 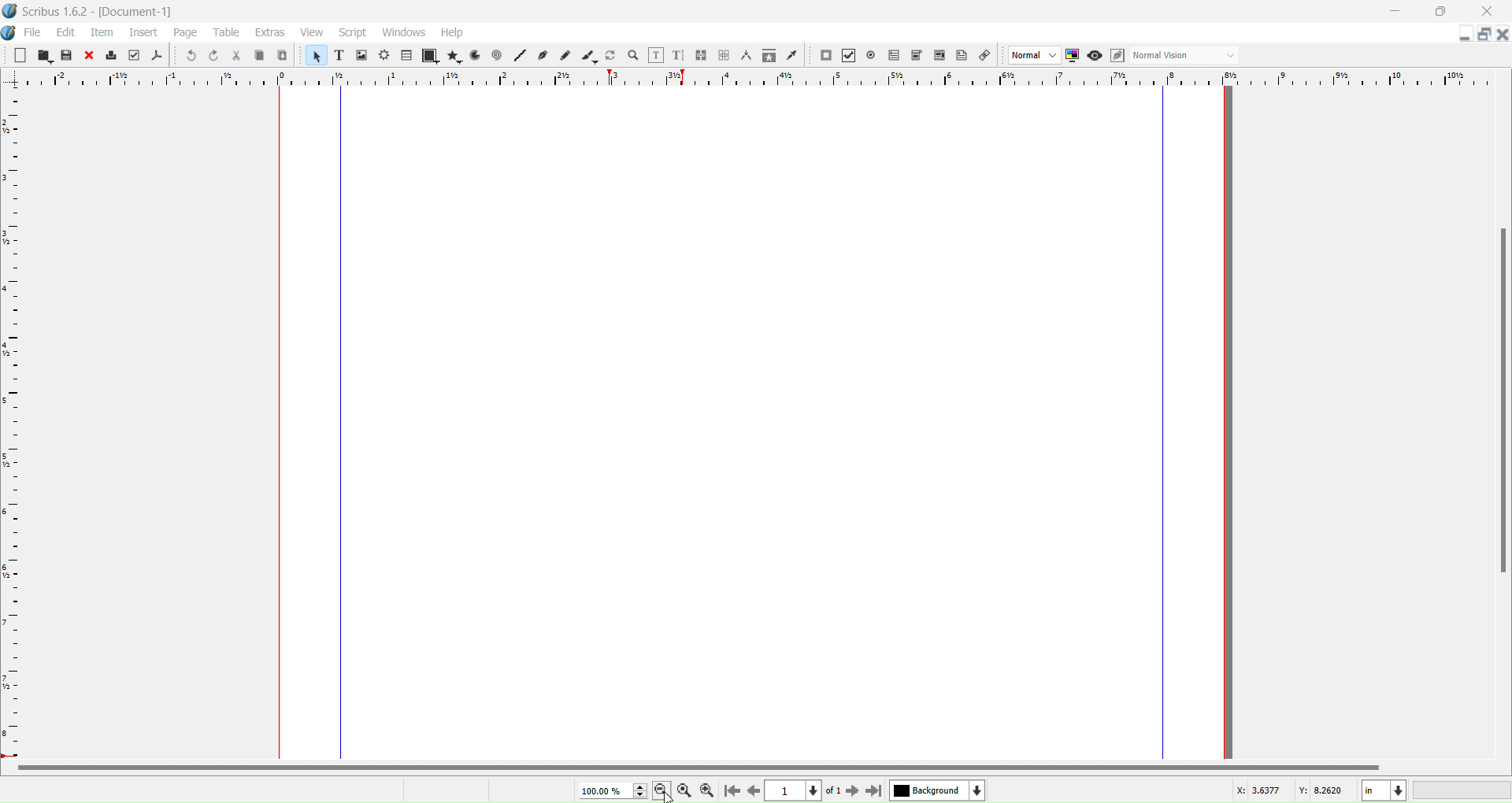 What do you see at coordinates (9, 10) in the screenshot?
I see `Application Logo` at bounding box center [9, 10].